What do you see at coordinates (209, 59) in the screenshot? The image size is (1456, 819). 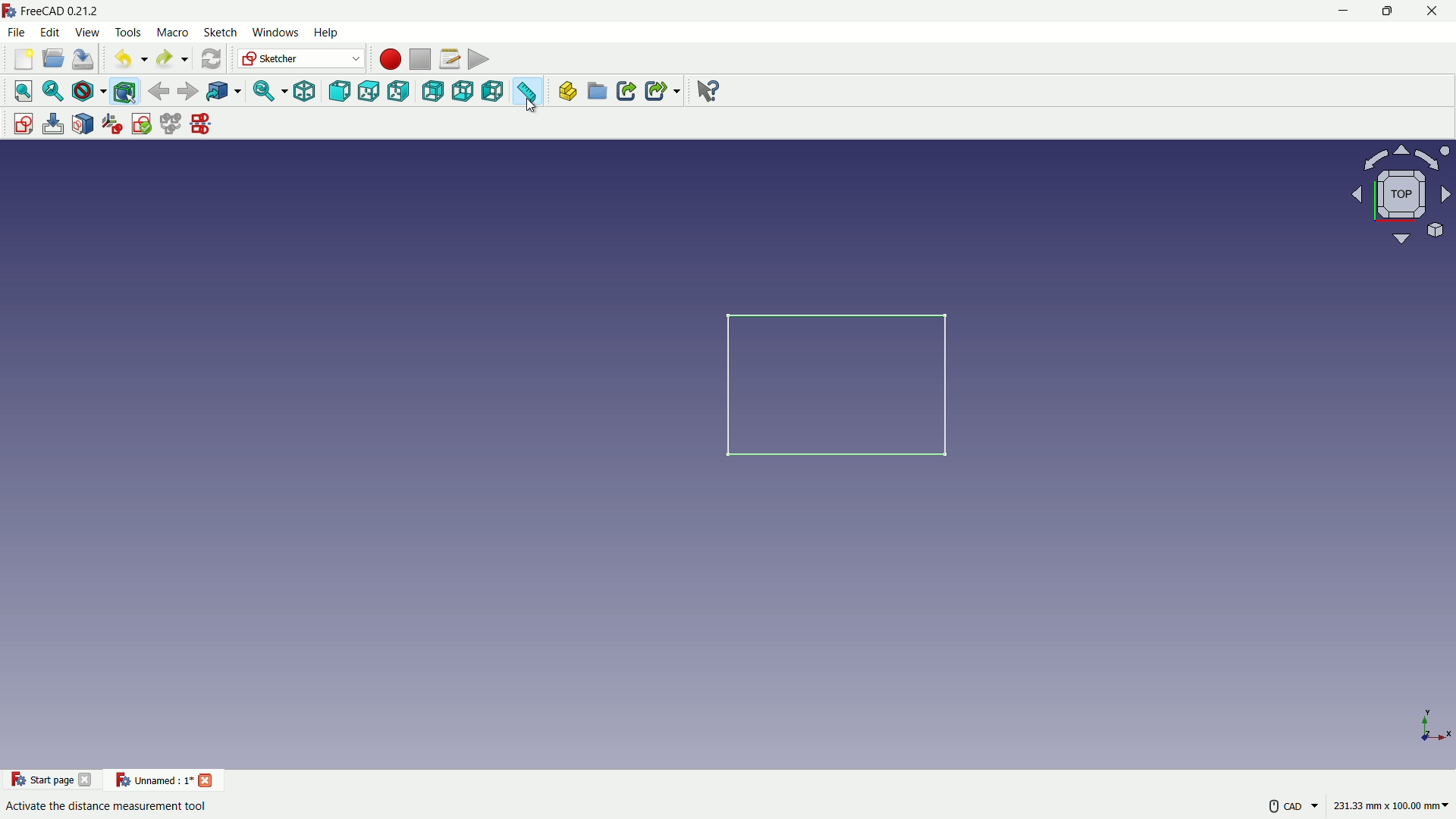 I see `refresh` at bounding box center [209, 59].